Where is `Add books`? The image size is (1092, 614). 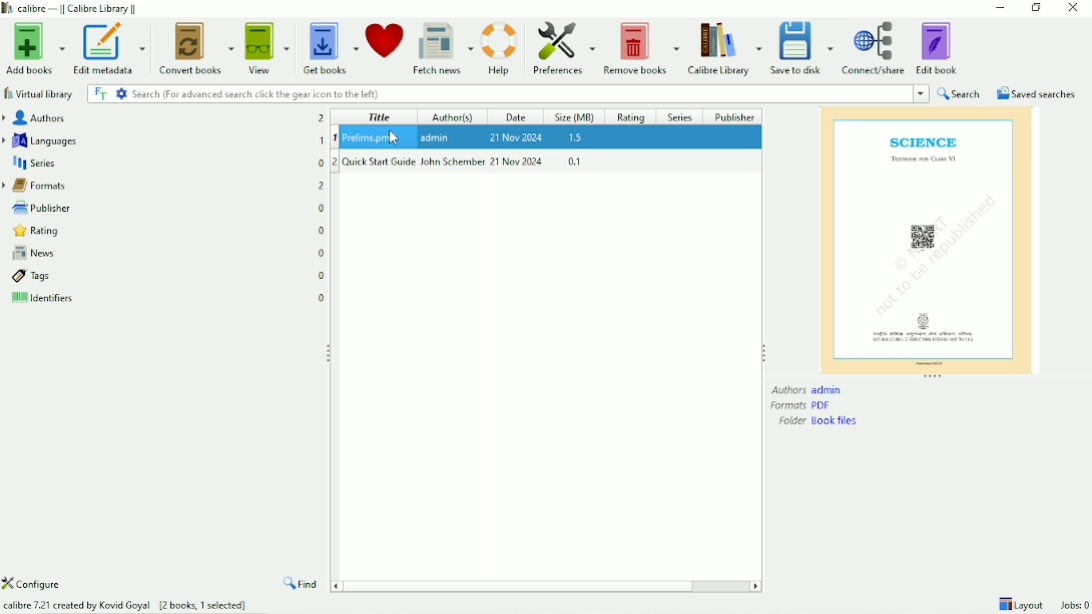 Add books is located at coordinates (34, 47).